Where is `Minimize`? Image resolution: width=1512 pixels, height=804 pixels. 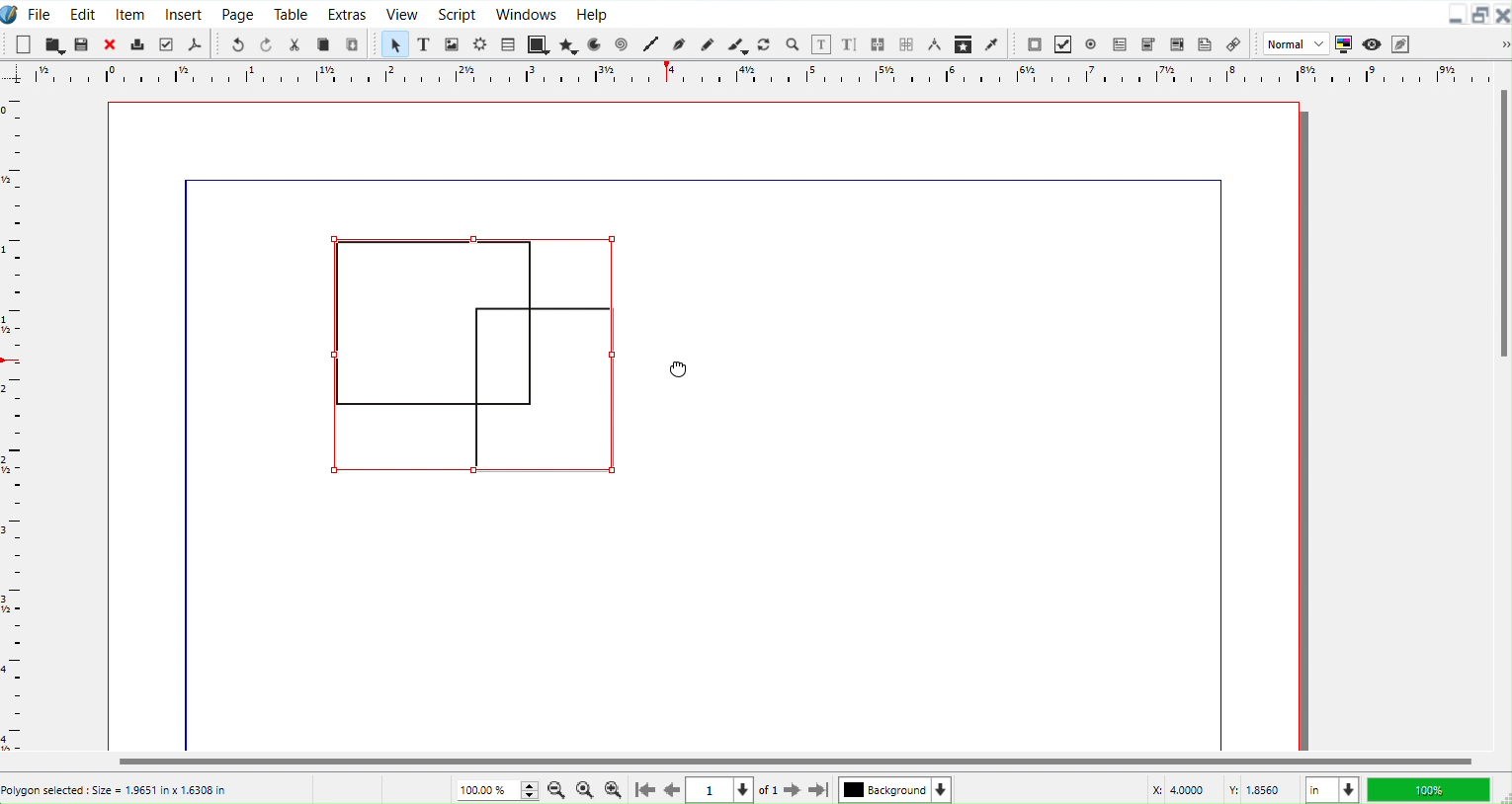
Minimize is located at coordinates (1457, 13).